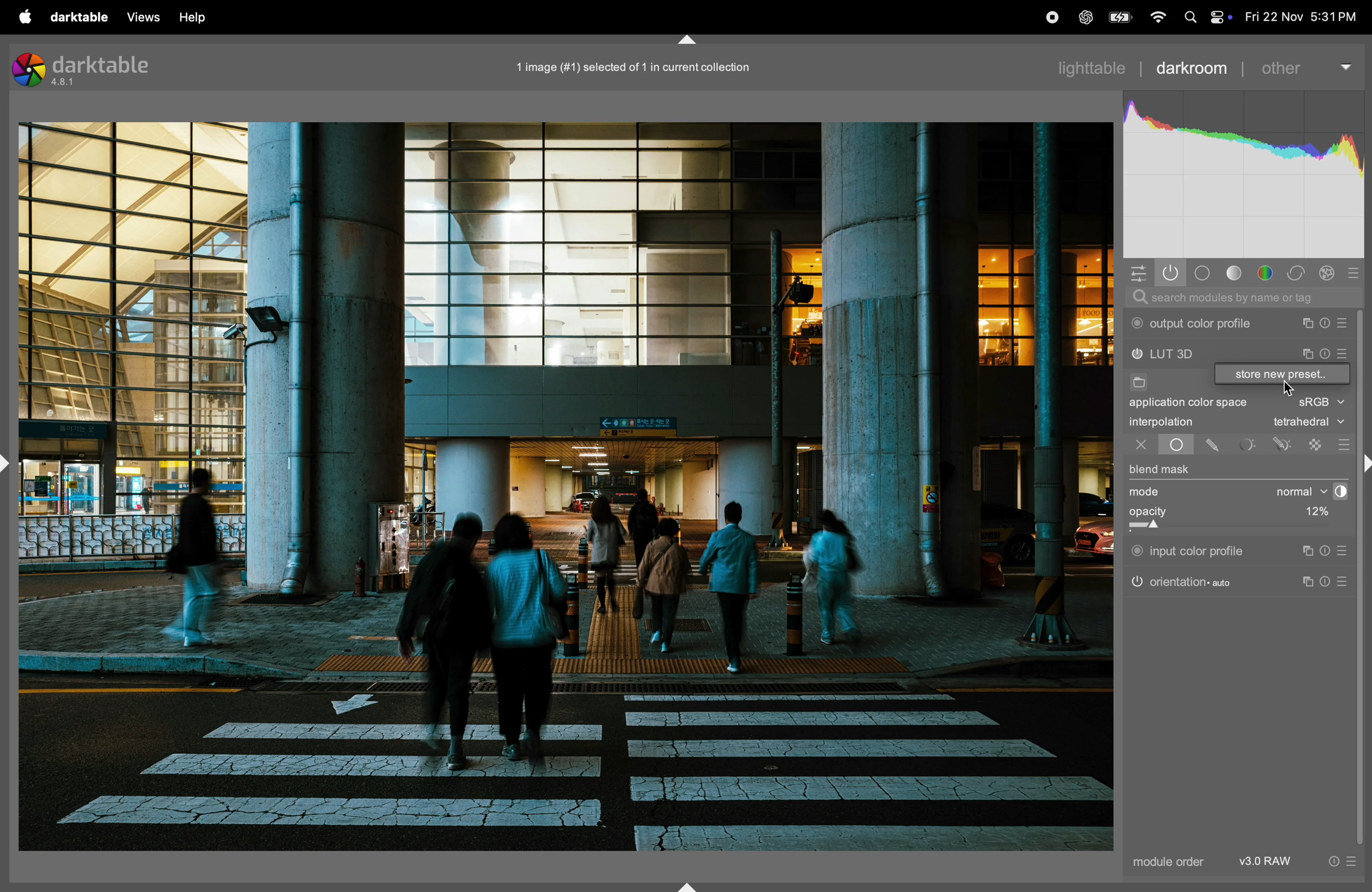 The image size is (1372, 892). What do you see at coordinates (1215, 445) in the screenshot?
I see `drawn mask` at bounding box center [1215, 445].